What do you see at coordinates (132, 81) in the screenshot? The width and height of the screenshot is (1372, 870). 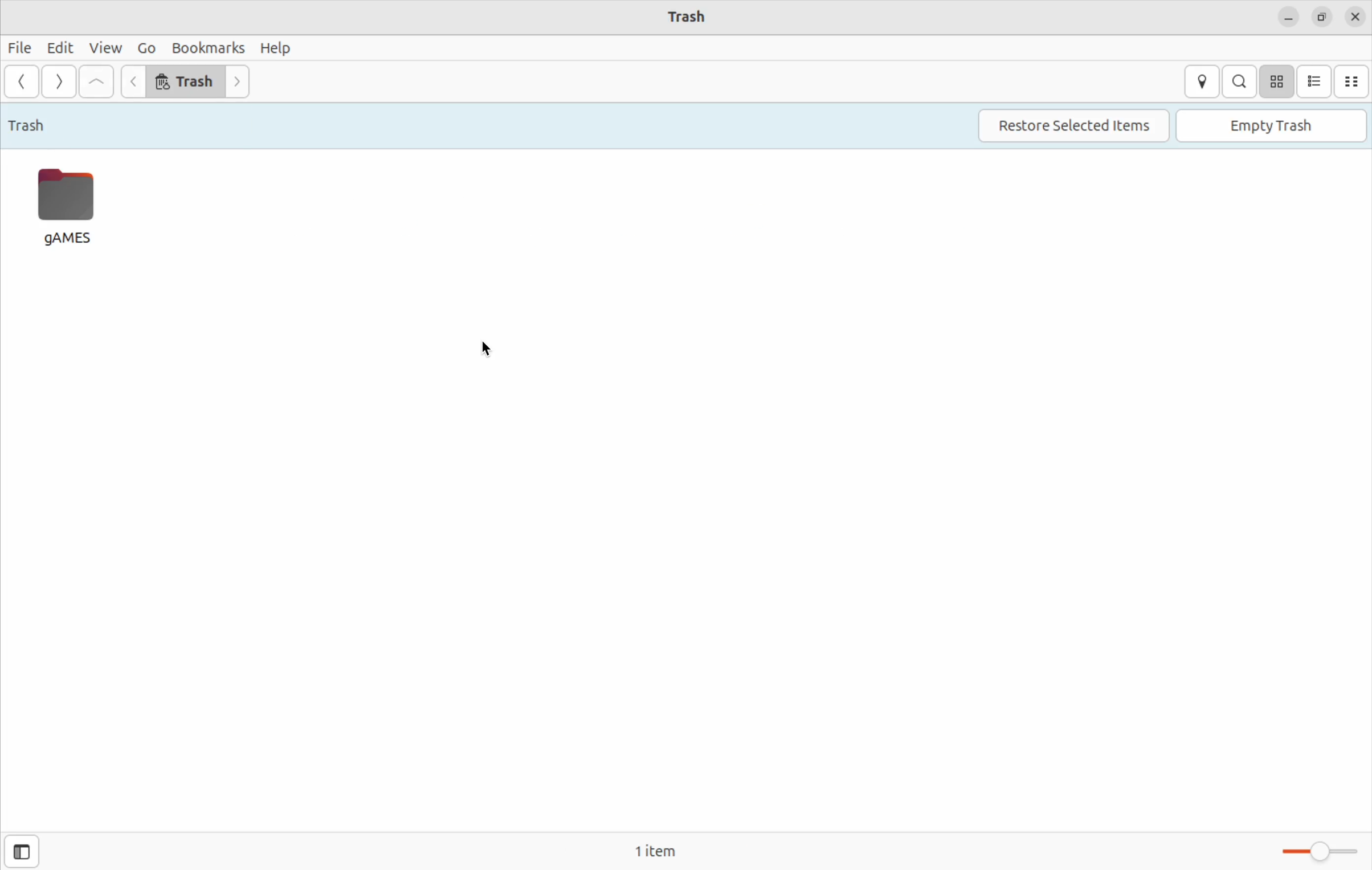 I see `previous` at bounding box center [132, 81].